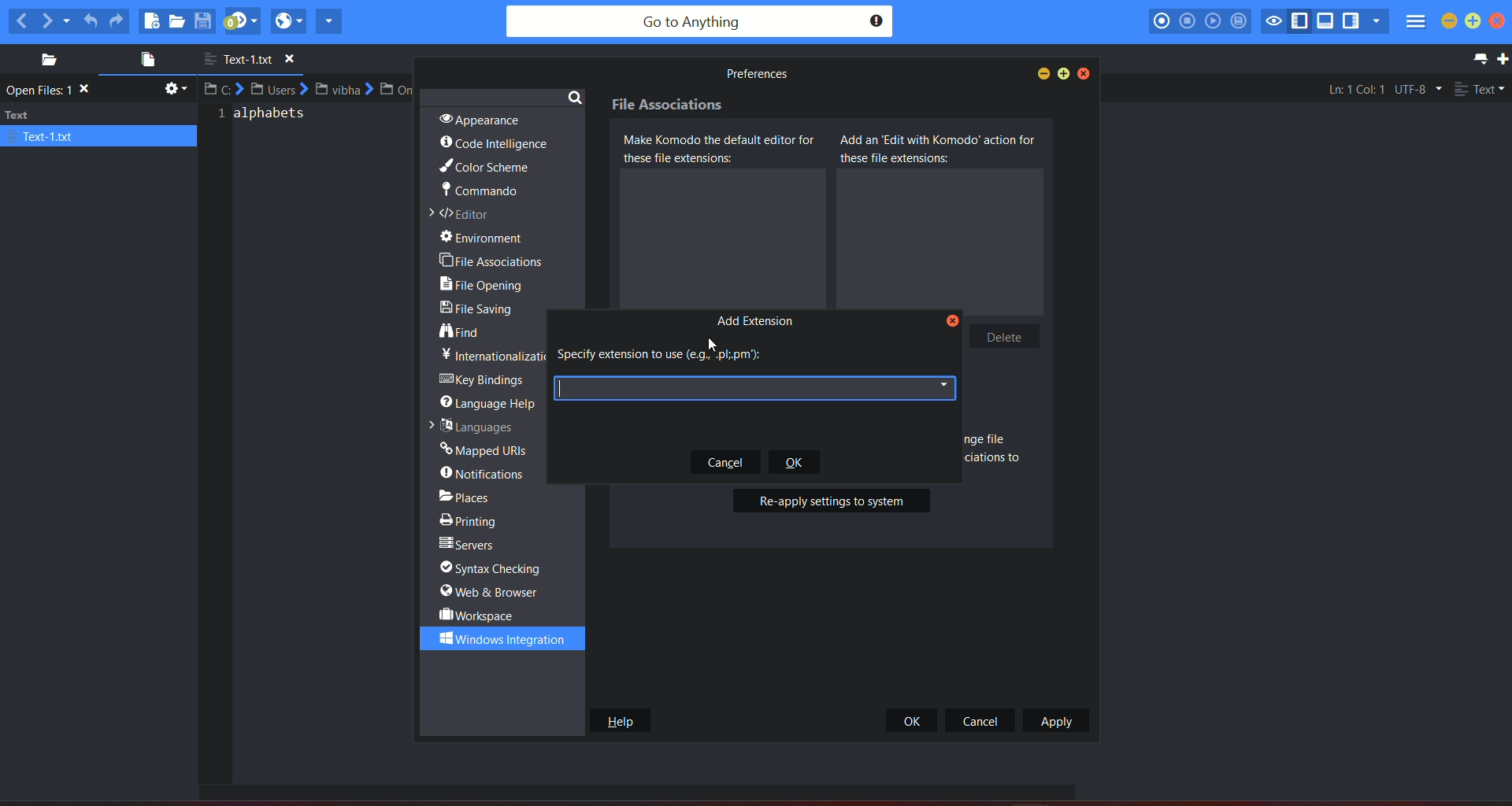  I want to click on file associations, so click(492, 260).